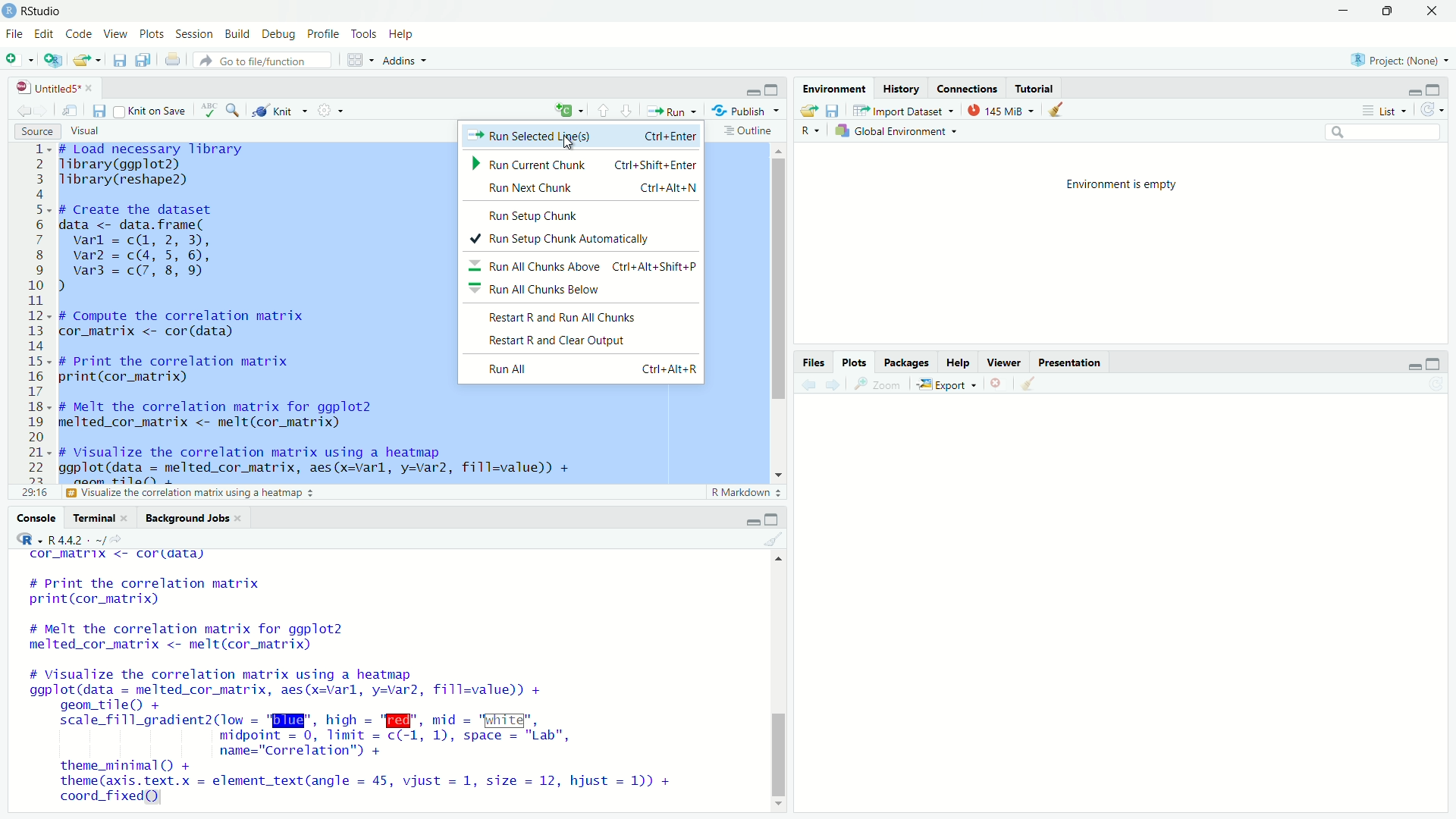  I want to click on minimize, so click(754, 87).